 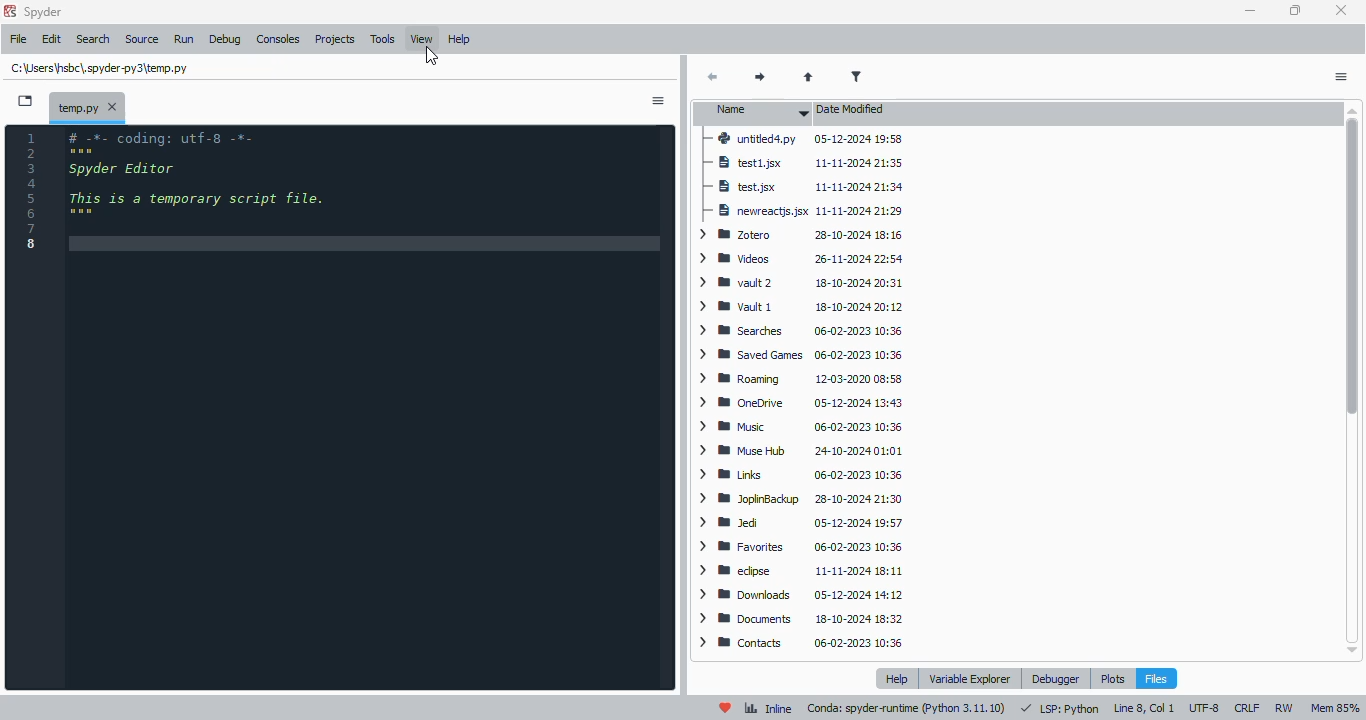 What do you see at coordinates (1284, 707) in the screenshot?
I see `RW` at bounding box center [1284, 707].